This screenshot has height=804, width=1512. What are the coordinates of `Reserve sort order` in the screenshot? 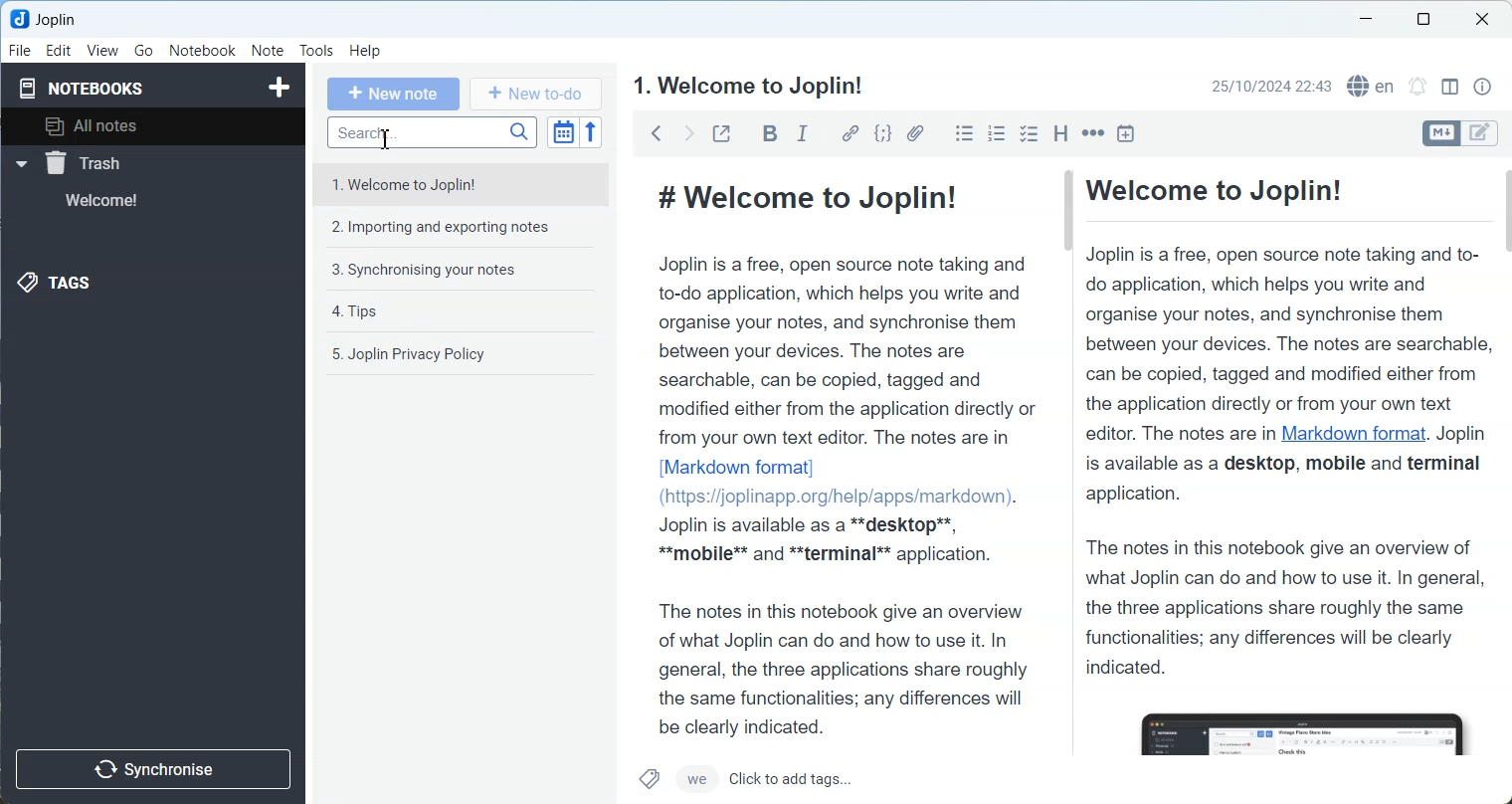 It's located at (591, 133).